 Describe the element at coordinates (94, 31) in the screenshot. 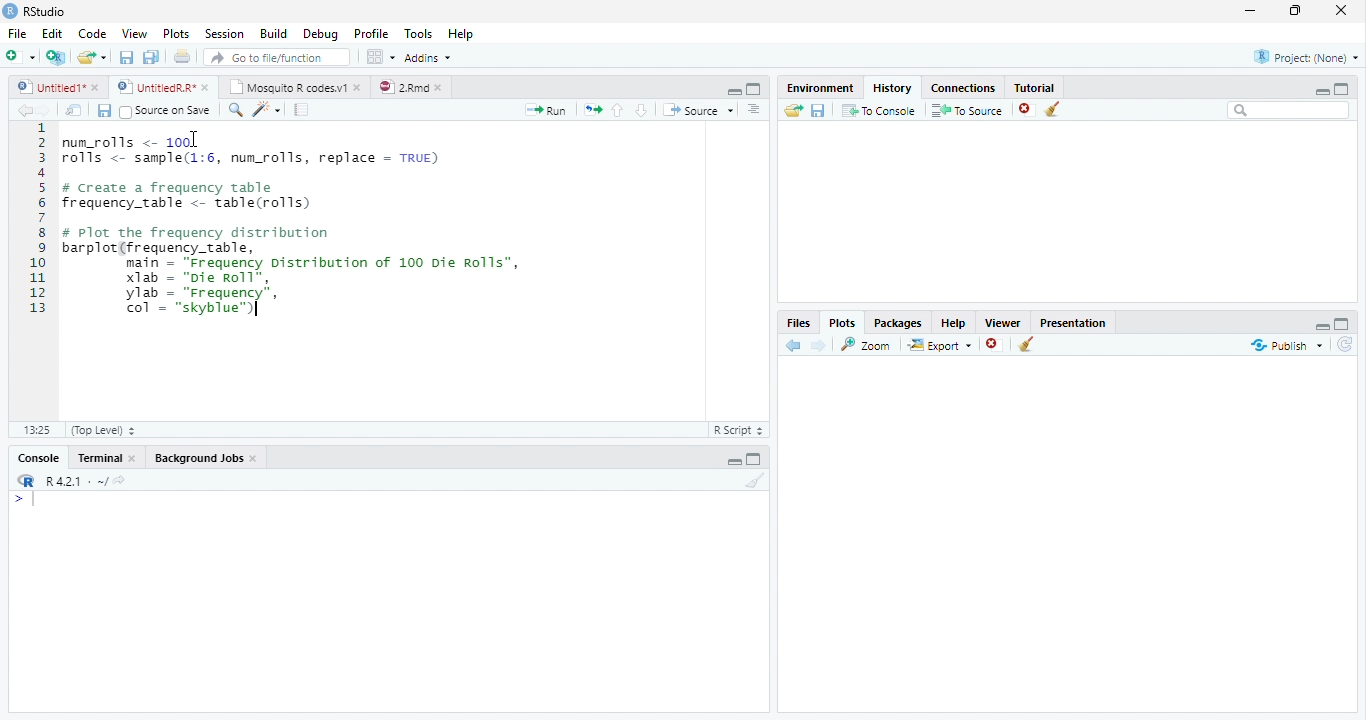

I see `Code` at that location.